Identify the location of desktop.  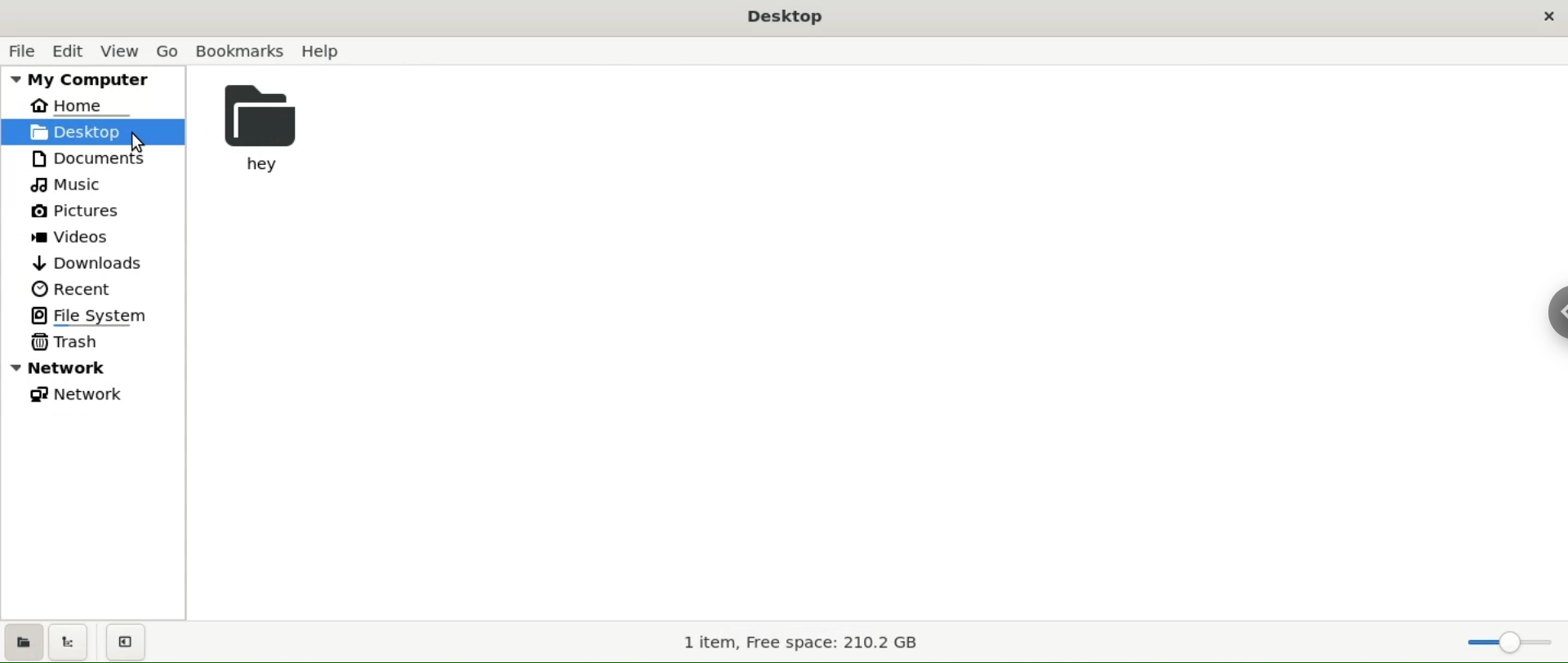
(92, 131).